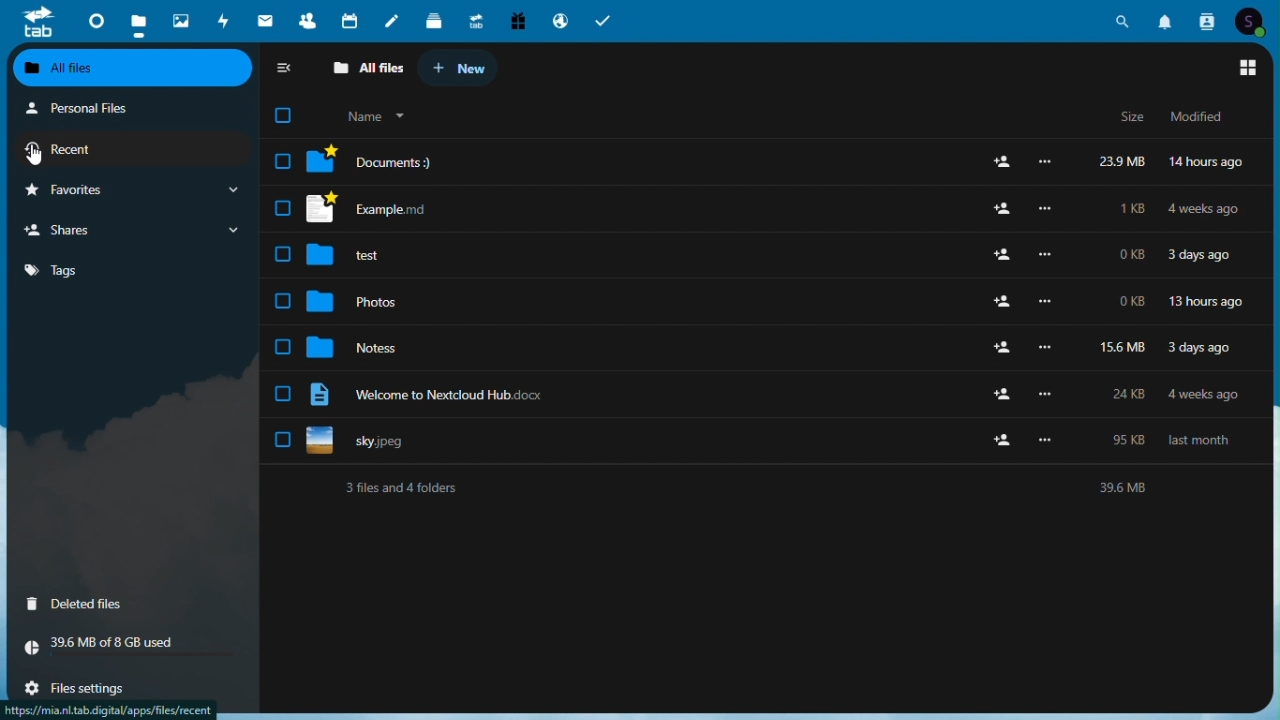 This screenshot has width=1280, height=720. Describe the element at coordinates (431, 393) in the screenshot. I see `welcome to nextcloud hub.docx` at that location.